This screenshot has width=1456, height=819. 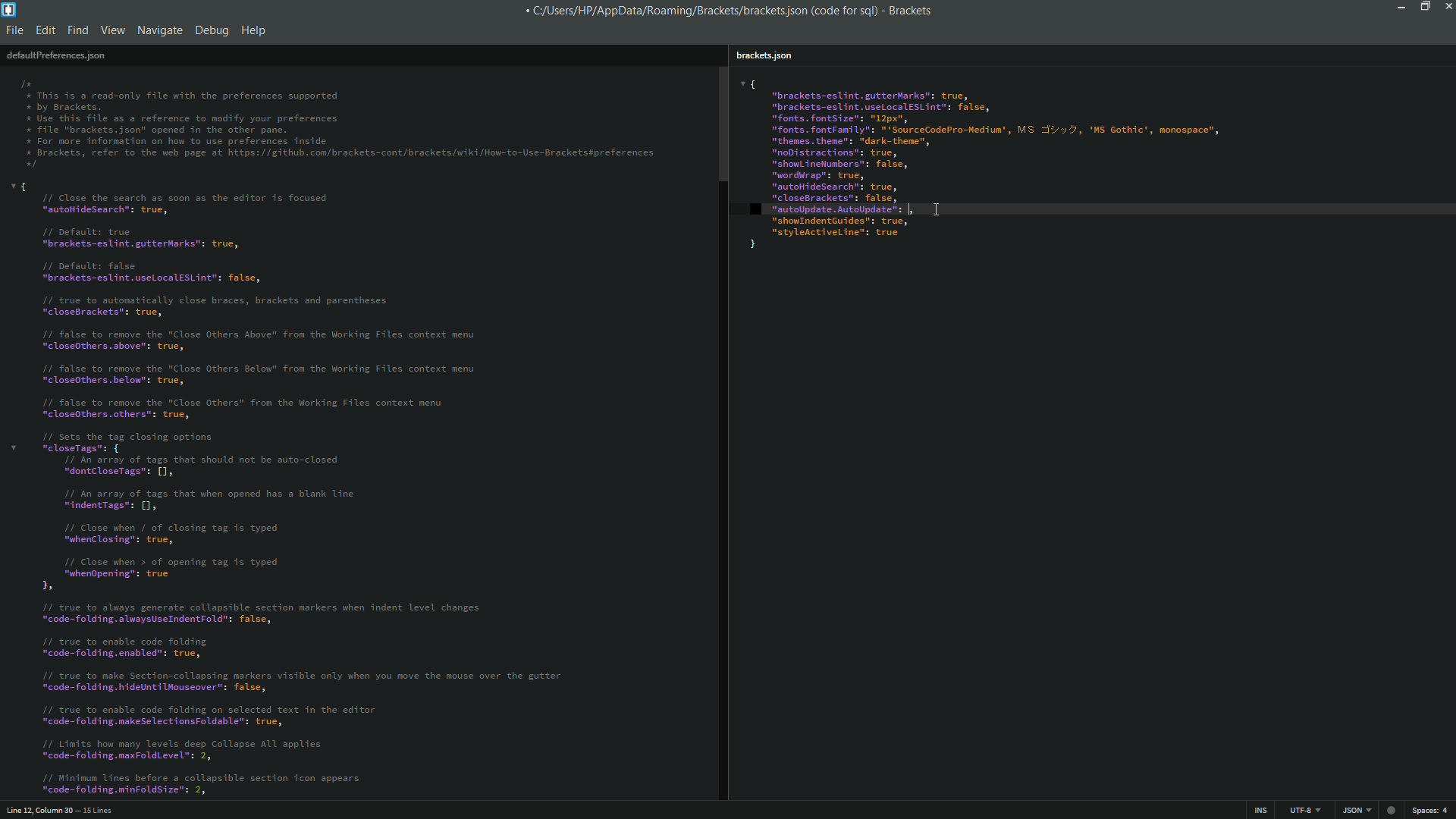 I want to click on v{
// Close the search as soon as the editor is focused
“autoHidesearch": true,
// Default: true
“brackets-eslint.gutterMarks": true,
// Default: false
"brackets-eslint.useLocalesLint": false,
// true to automatically close braces, brackets and parentheses
"closeBrackets": true,
// false to remove the "Close Others Above" from the Working Files context menu
"closeothers.above": true,
// false to remove the "Close Others Below" from the Working Files context menu
"closeothers.below": true,
// false to remove the "Close Others" from the Working Files context menu
"closeOthers. others": true,
/1 sets the tag closing options
* “closeTags": {
// An array of tags that should not be auto-closed
"dontCloseTags": [1,
// An array of tags that when opened has a blank line
"indentTags": [1,
// Close when / of closing tag is typed
"whenClosing": true,
// Close when > of opening tag is typed
"whenOpening": true
by
// true to always generate collapsible section markers when indent level changes
"code-folding.alwaysUseIndentFold": false,
// true to enable code folding
"code-folding.enabled": true,
// true to make Section-collapsing markers visible only when you move the mouse over the gutter
"code-folding.hideuntilMouseover®: false,
// true to enable code folding on selected text in the editor
"code-folding.makeselectionsFoldable": true,
// Limits how many levels deep Collapse ALL applies
"code-folding.maxFoldLevel™: 2,
// Minimum Lines before a collapsible section icon appears
“code-folding.minFoldsize": 2,, so click(x=340, y=489).